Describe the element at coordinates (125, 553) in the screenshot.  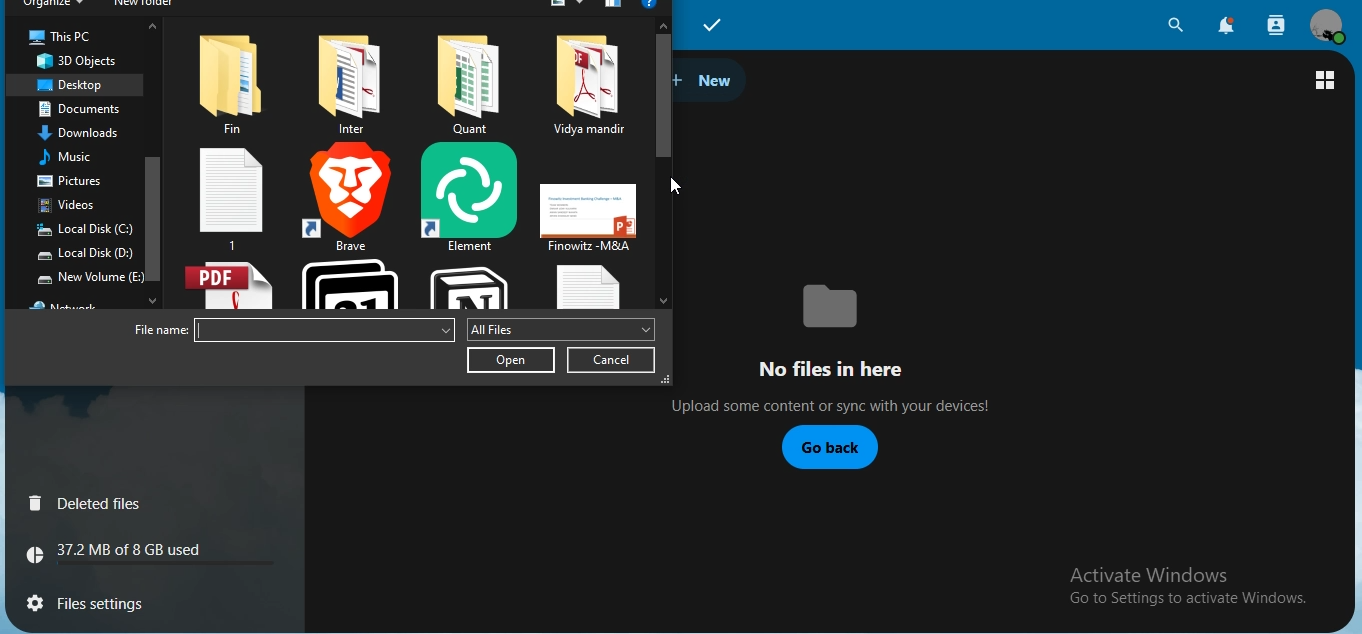
I see `text` at that location.